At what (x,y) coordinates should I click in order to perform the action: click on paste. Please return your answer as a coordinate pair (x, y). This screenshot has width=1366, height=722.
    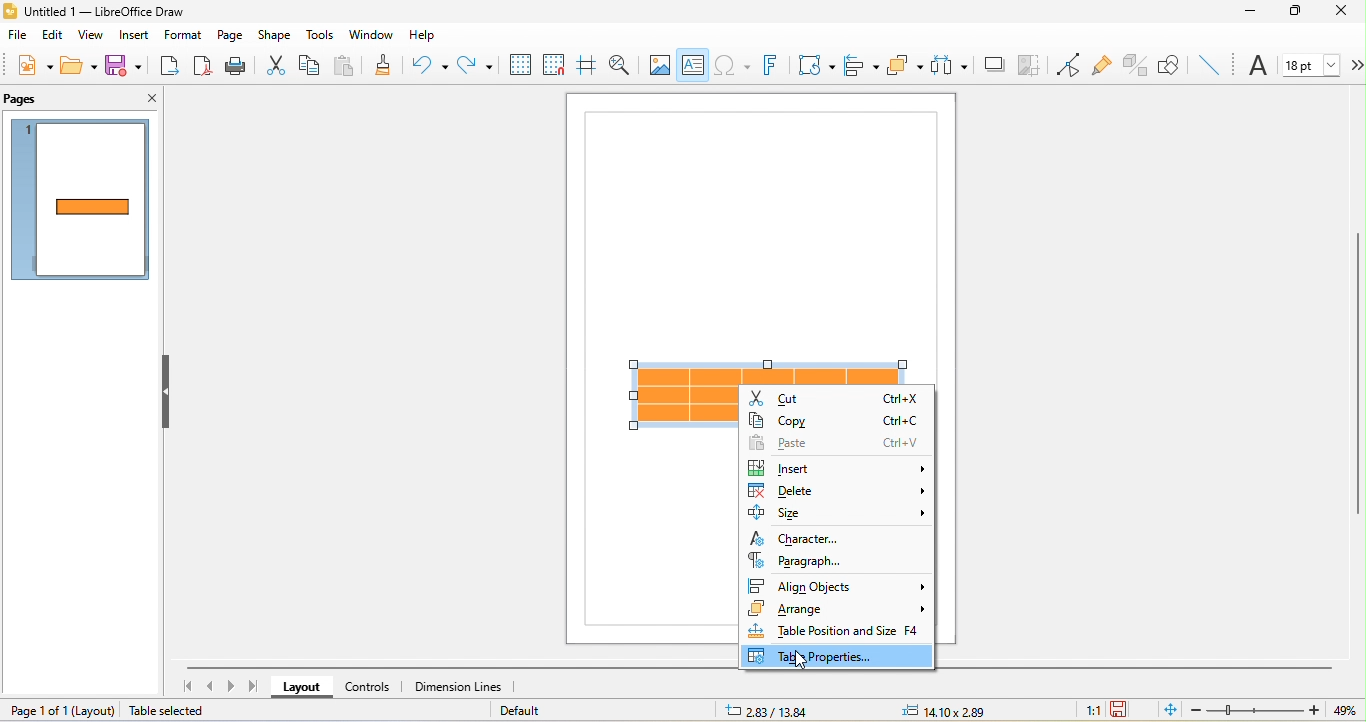
    Looking at the image, I should click on (835, 440).